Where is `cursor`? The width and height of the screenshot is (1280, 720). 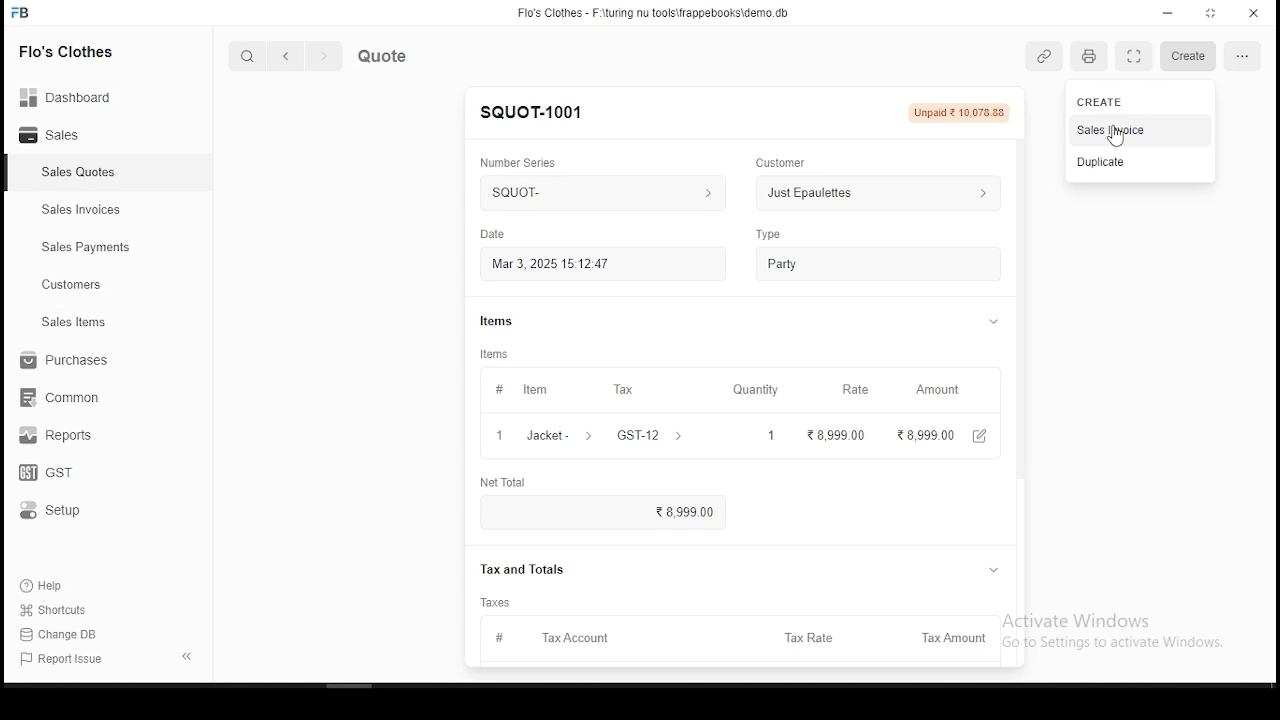 cursor is located at coordinates (1127, 133).